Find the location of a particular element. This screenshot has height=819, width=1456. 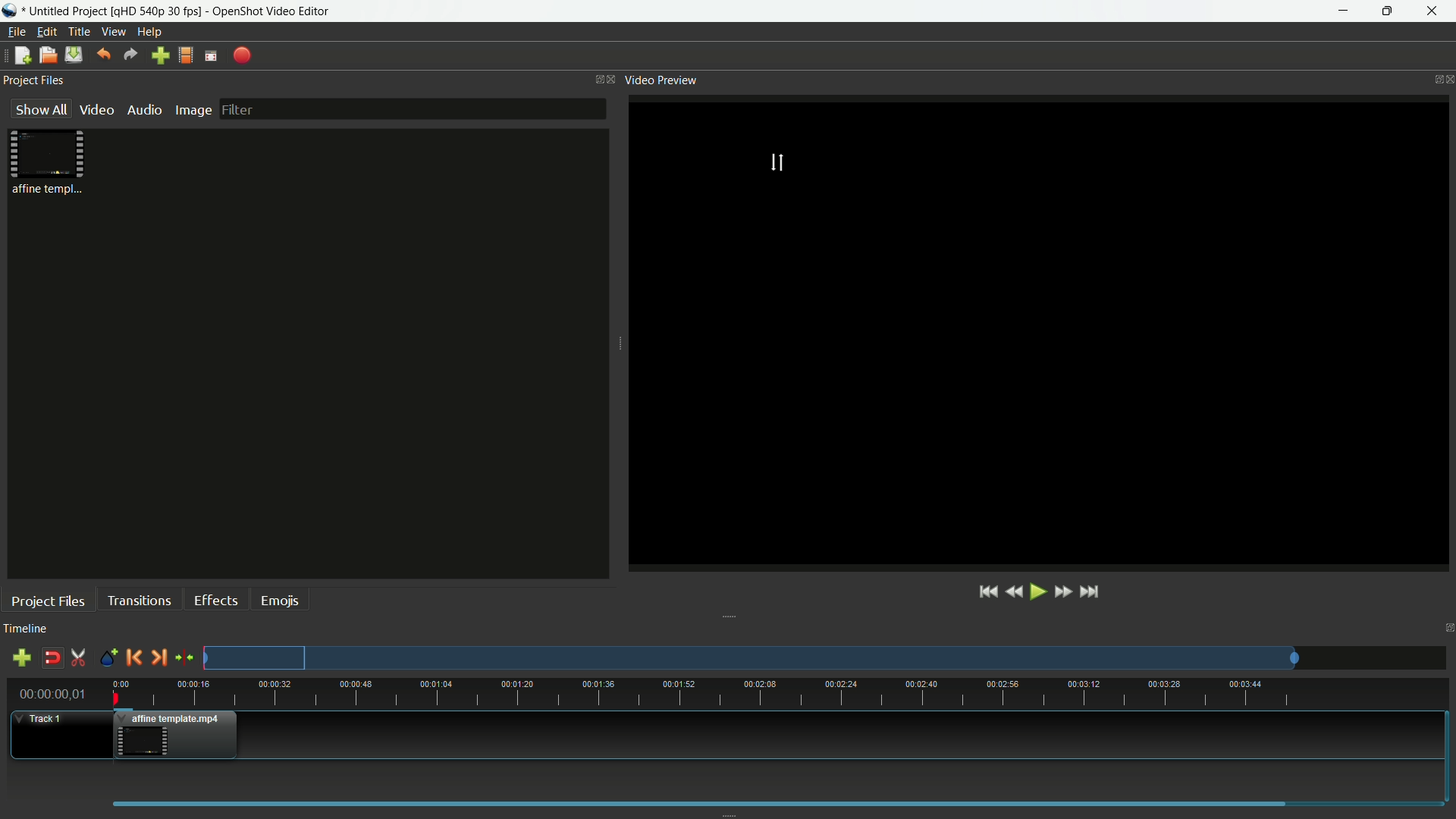

full screen is located at coordinates (212, 57).